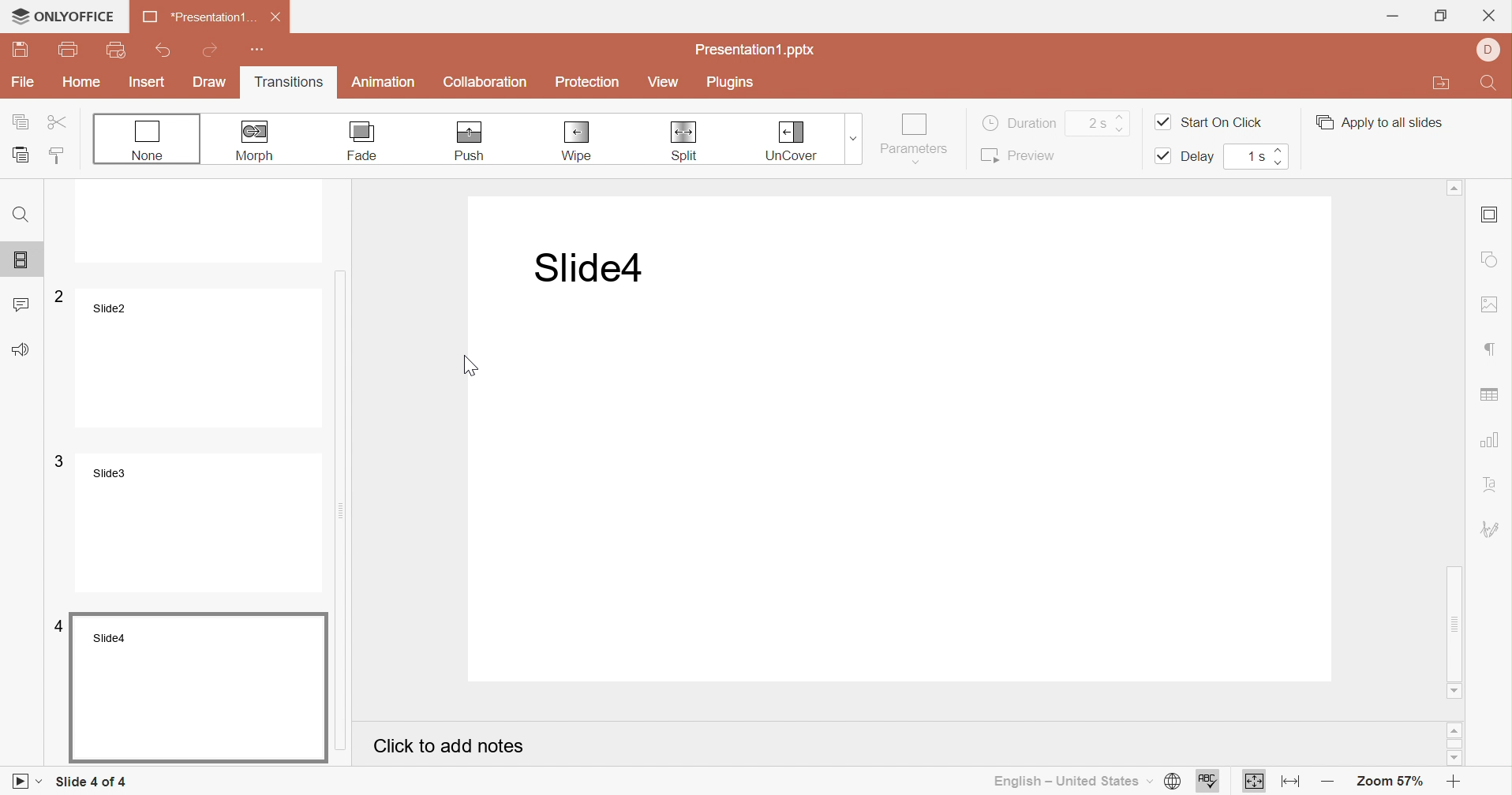  I want to click on Scroll bar, so click(348, 465).